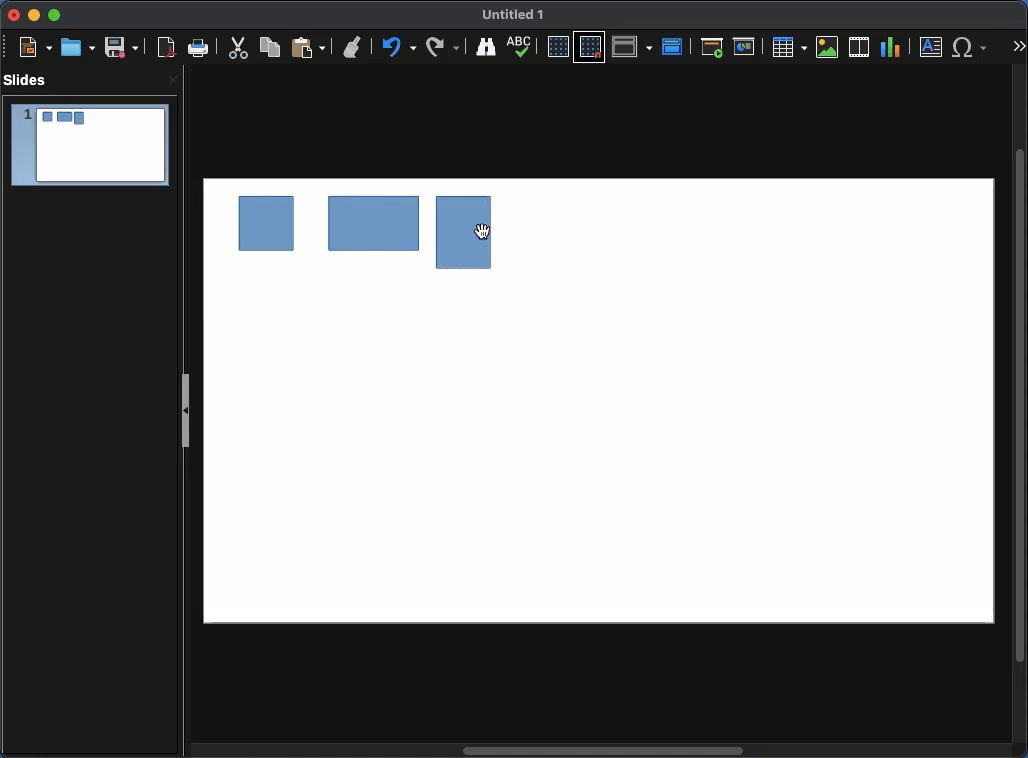  I want to click on Characters, so click(972, 47).